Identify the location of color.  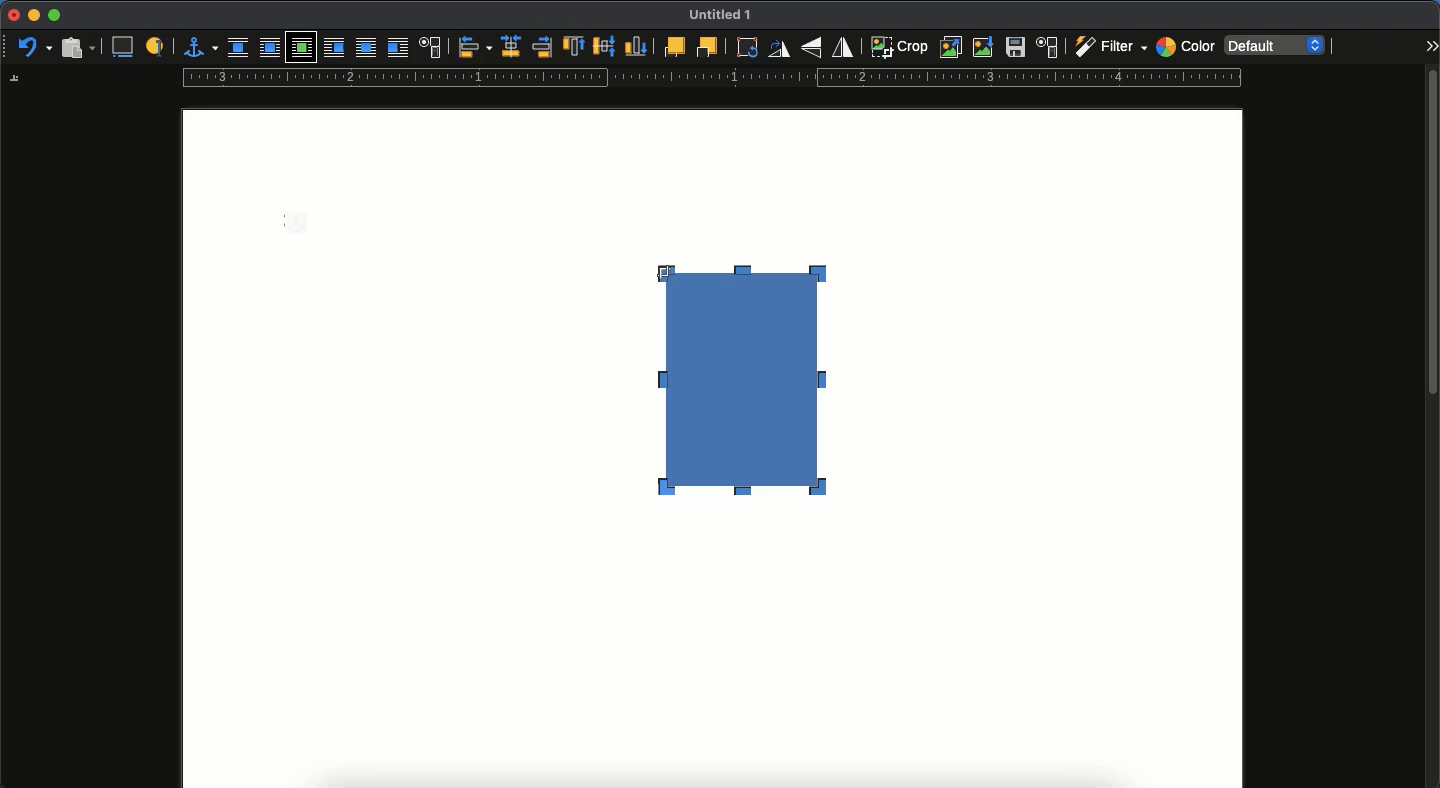
(1185, 49).